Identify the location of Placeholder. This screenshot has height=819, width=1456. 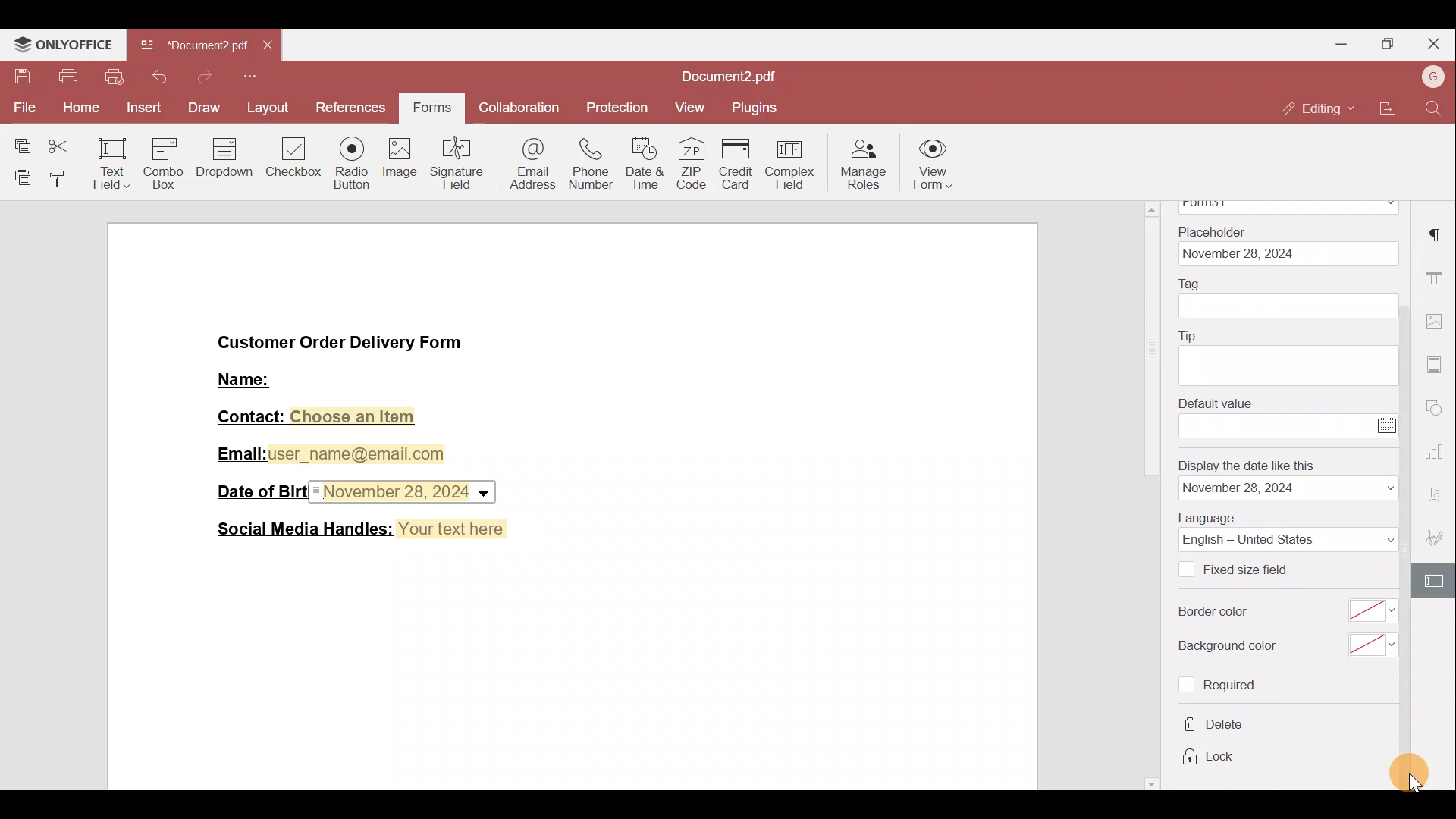
(1216, 231).